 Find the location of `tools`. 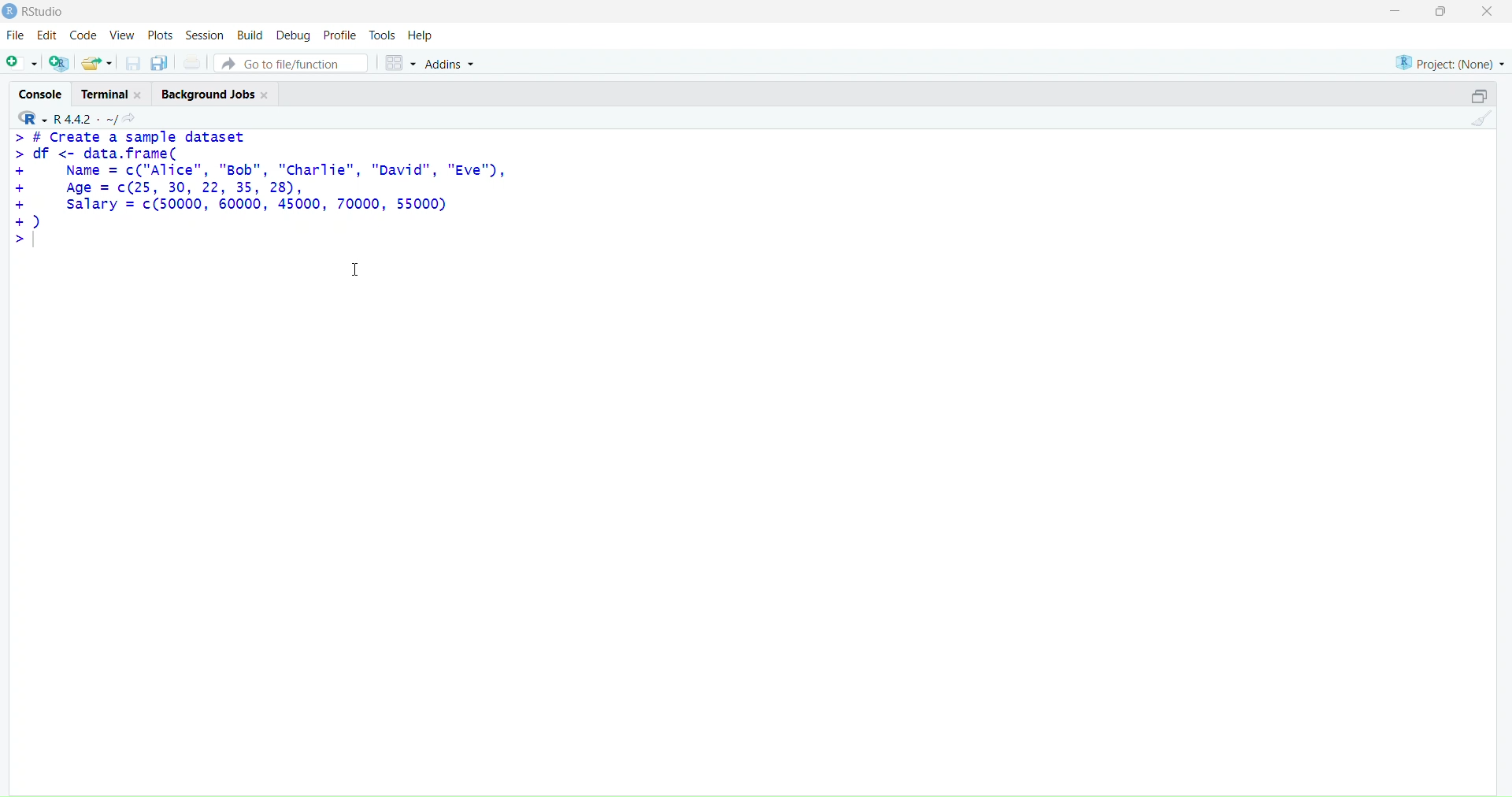

tools is located at coordinates (384, 34).